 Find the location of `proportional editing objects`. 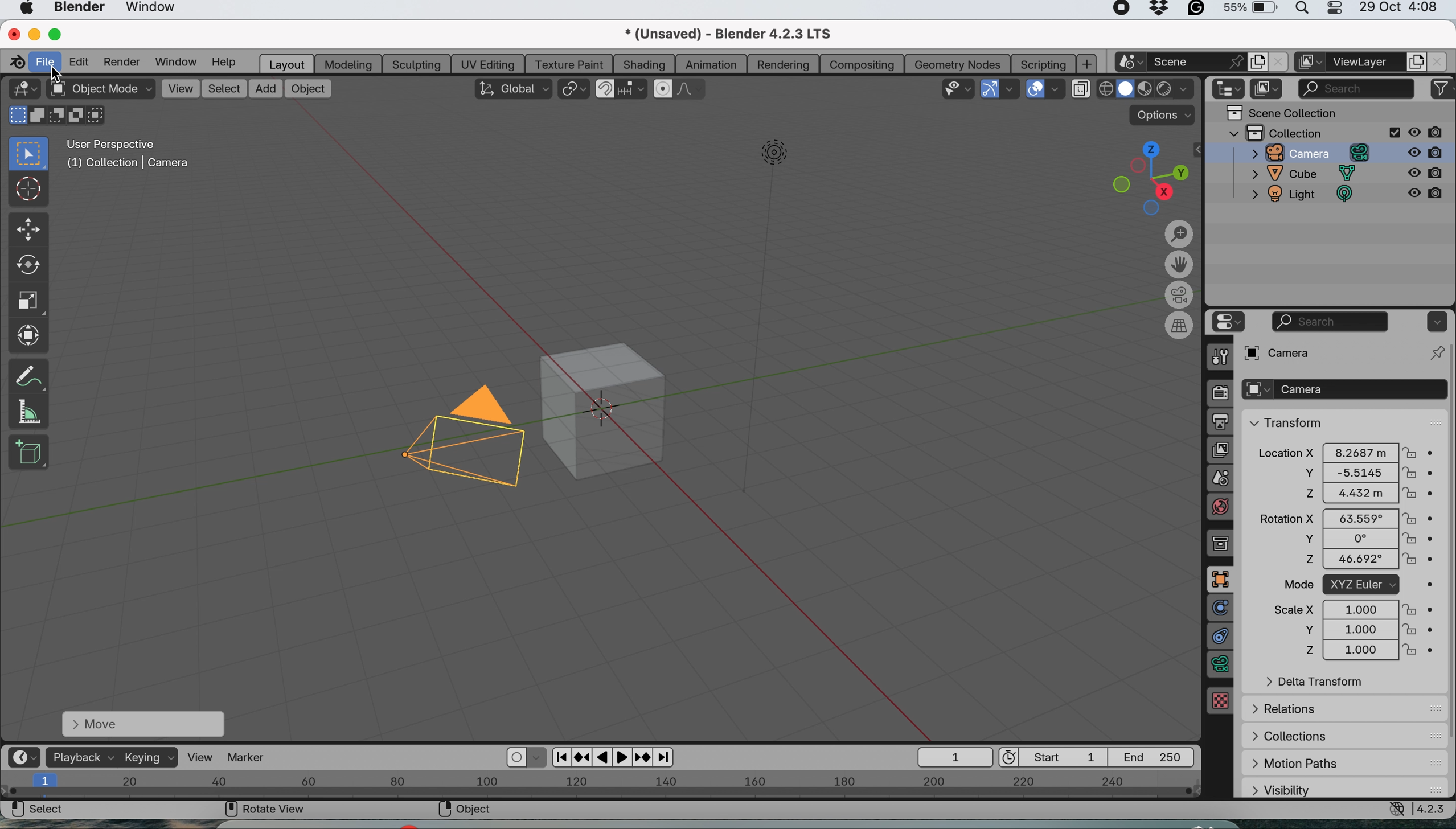

proportional editing objects is located at coordinates (664, 89).